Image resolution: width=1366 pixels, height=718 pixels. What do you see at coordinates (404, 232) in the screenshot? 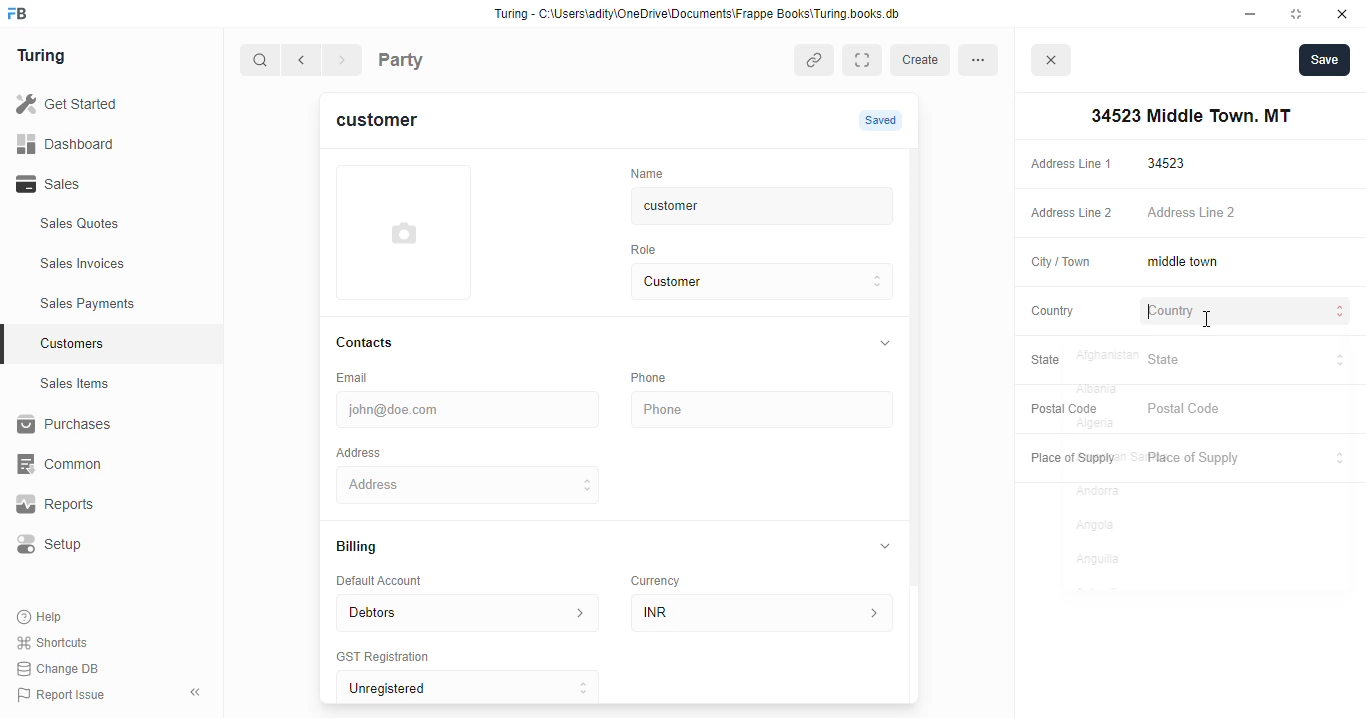
I see `add profile photo` at bounding box center [404, 232].